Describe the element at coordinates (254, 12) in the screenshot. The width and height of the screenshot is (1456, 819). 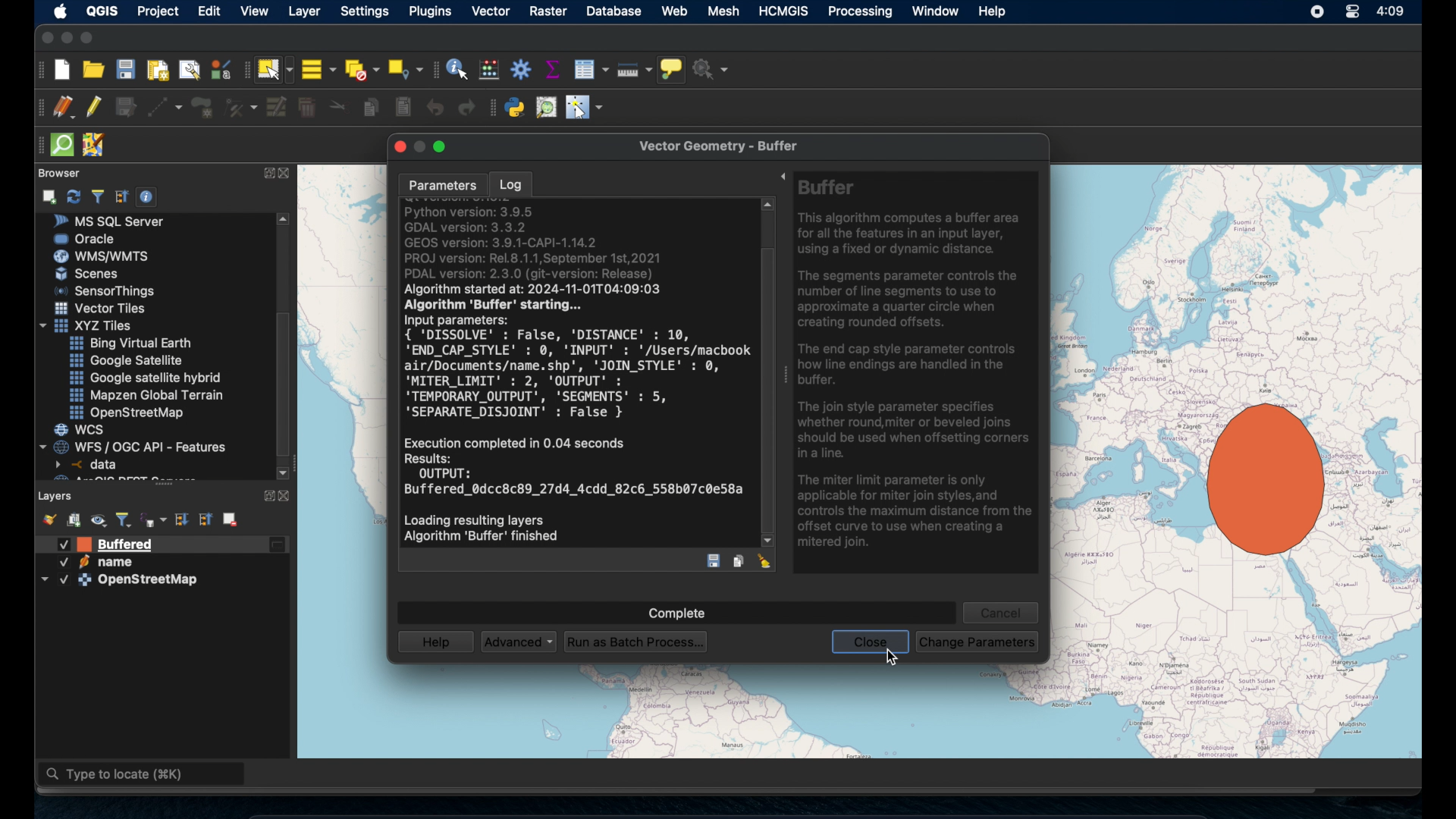
I see `view` at that location.